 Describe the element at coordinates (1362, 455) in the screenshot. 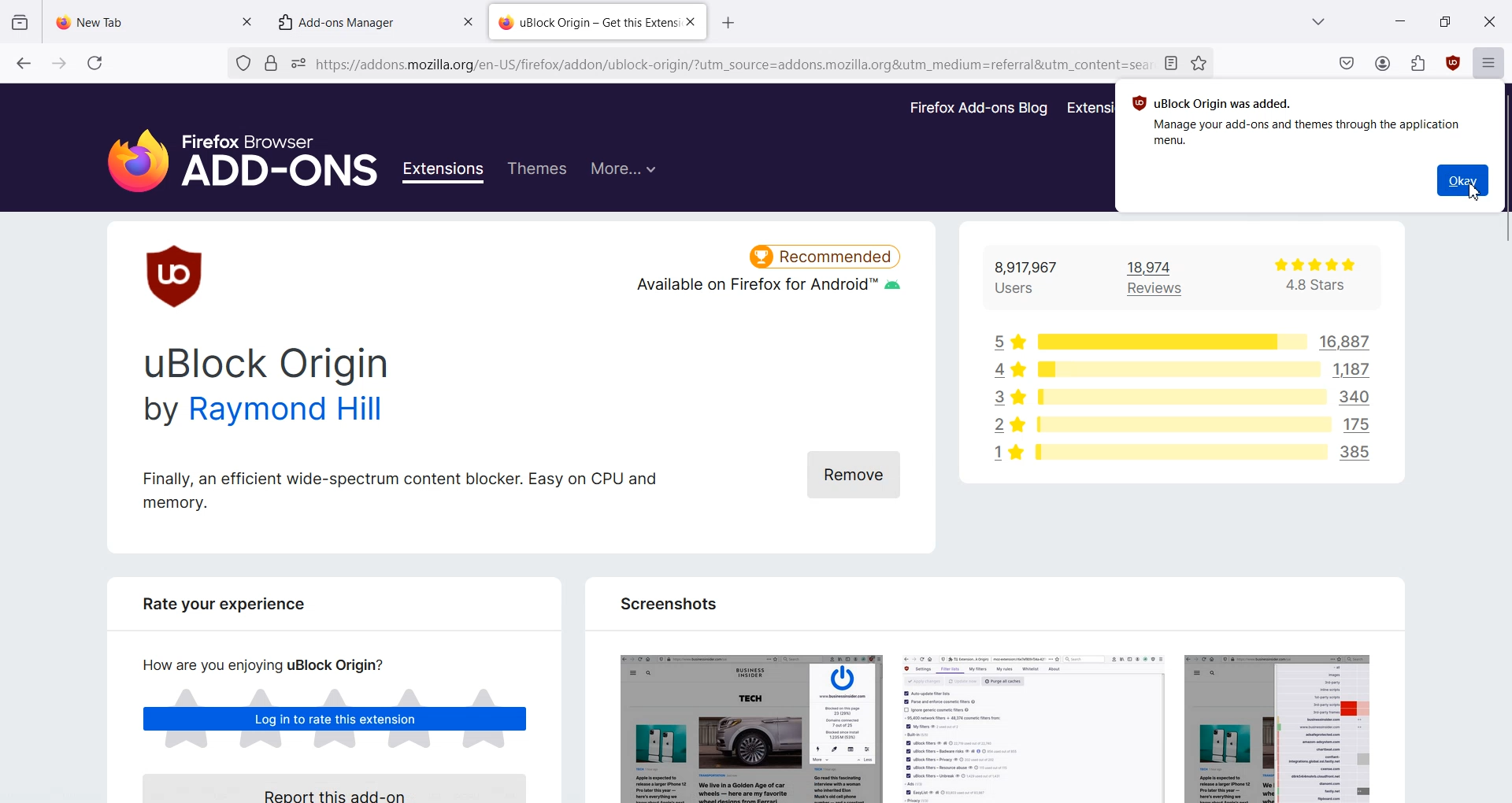

I see `385 users` at that location.